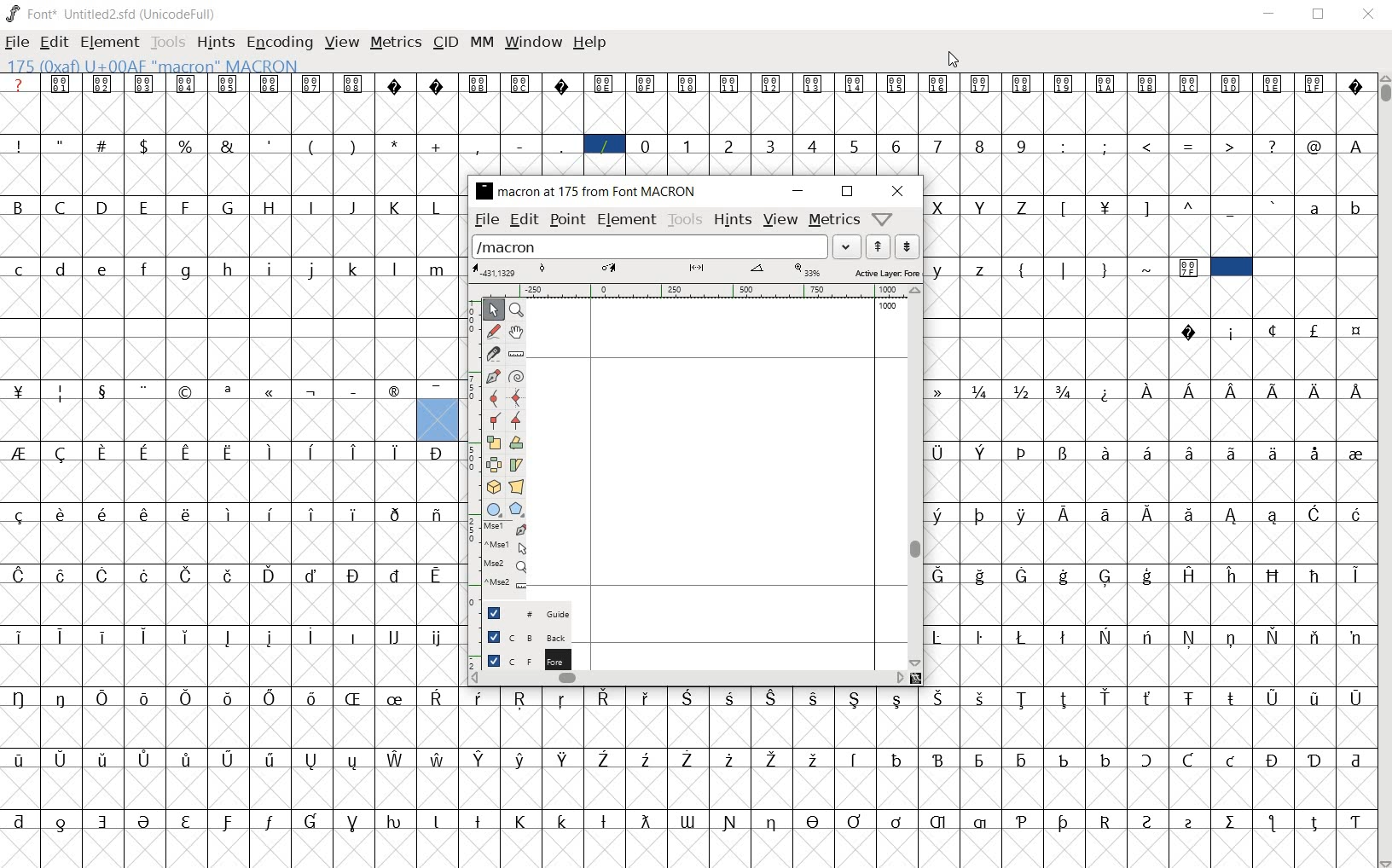 Image resolution: width=1392 pixels, height=868 pixels. I want to click on Help, so click(591, 43).